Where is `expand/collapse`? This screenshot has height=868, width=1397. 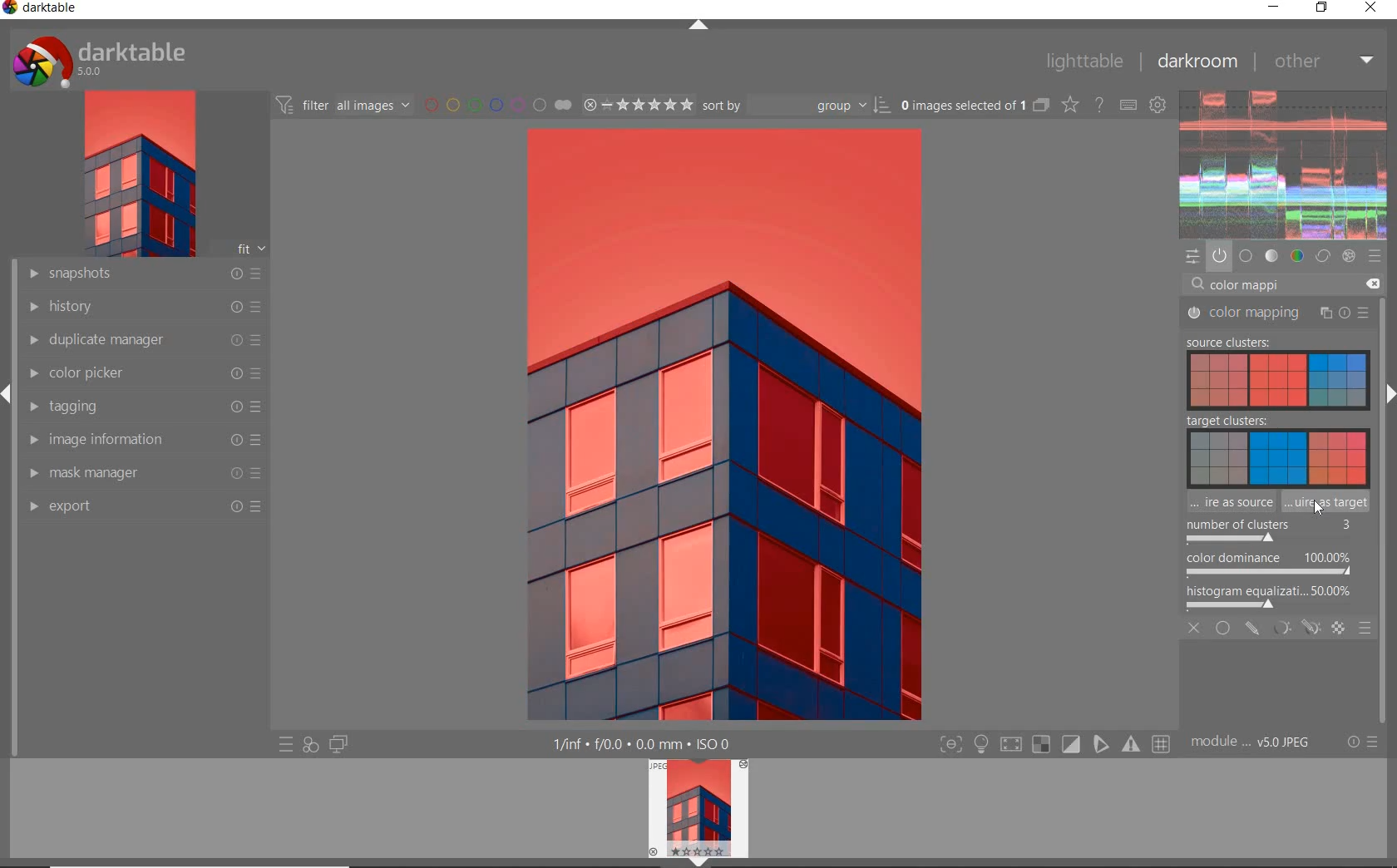
expand/collapse is located at coordinates (698, 24).